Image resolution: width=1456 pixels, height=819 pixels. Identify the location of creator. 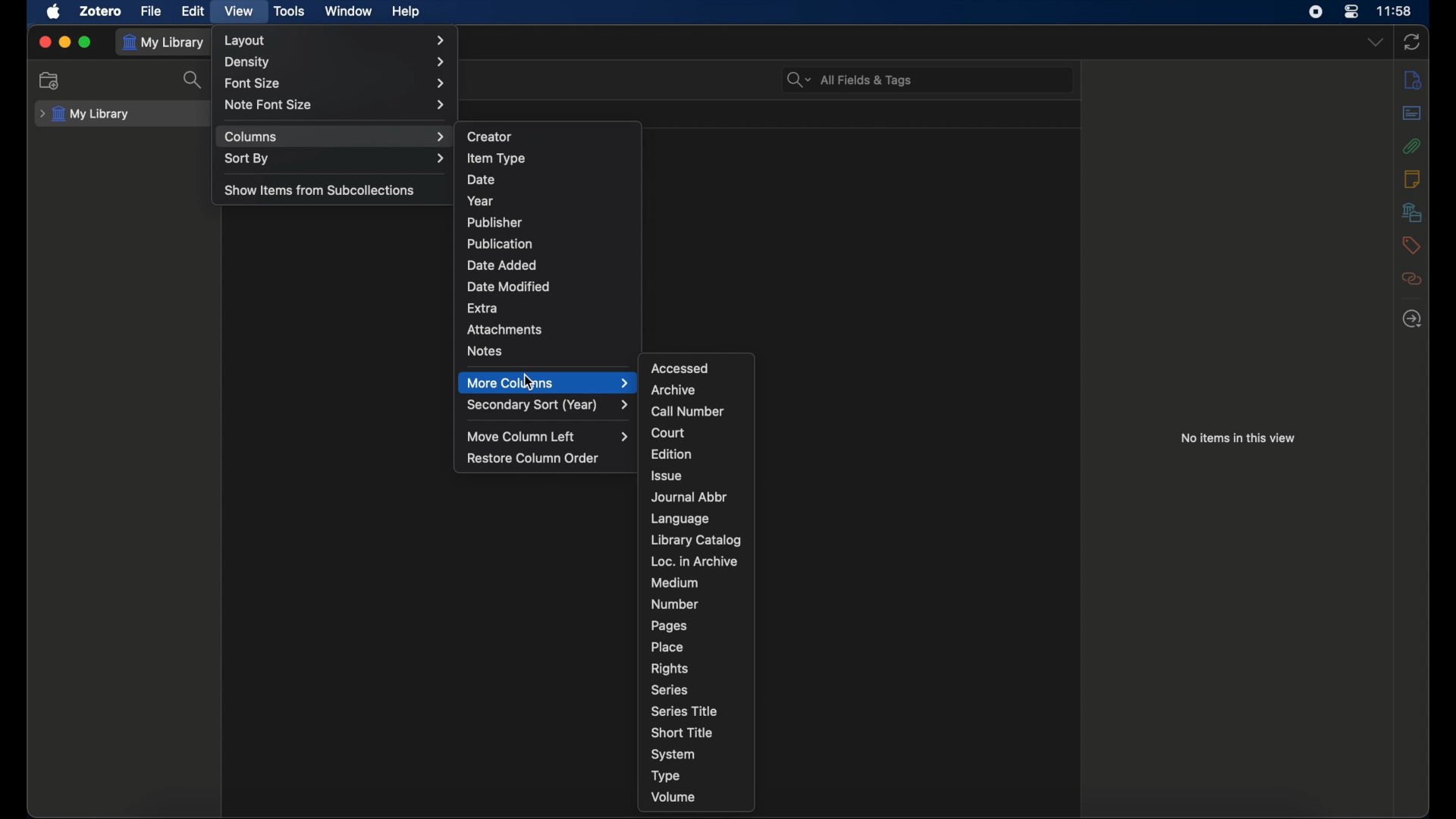
(490, 136).